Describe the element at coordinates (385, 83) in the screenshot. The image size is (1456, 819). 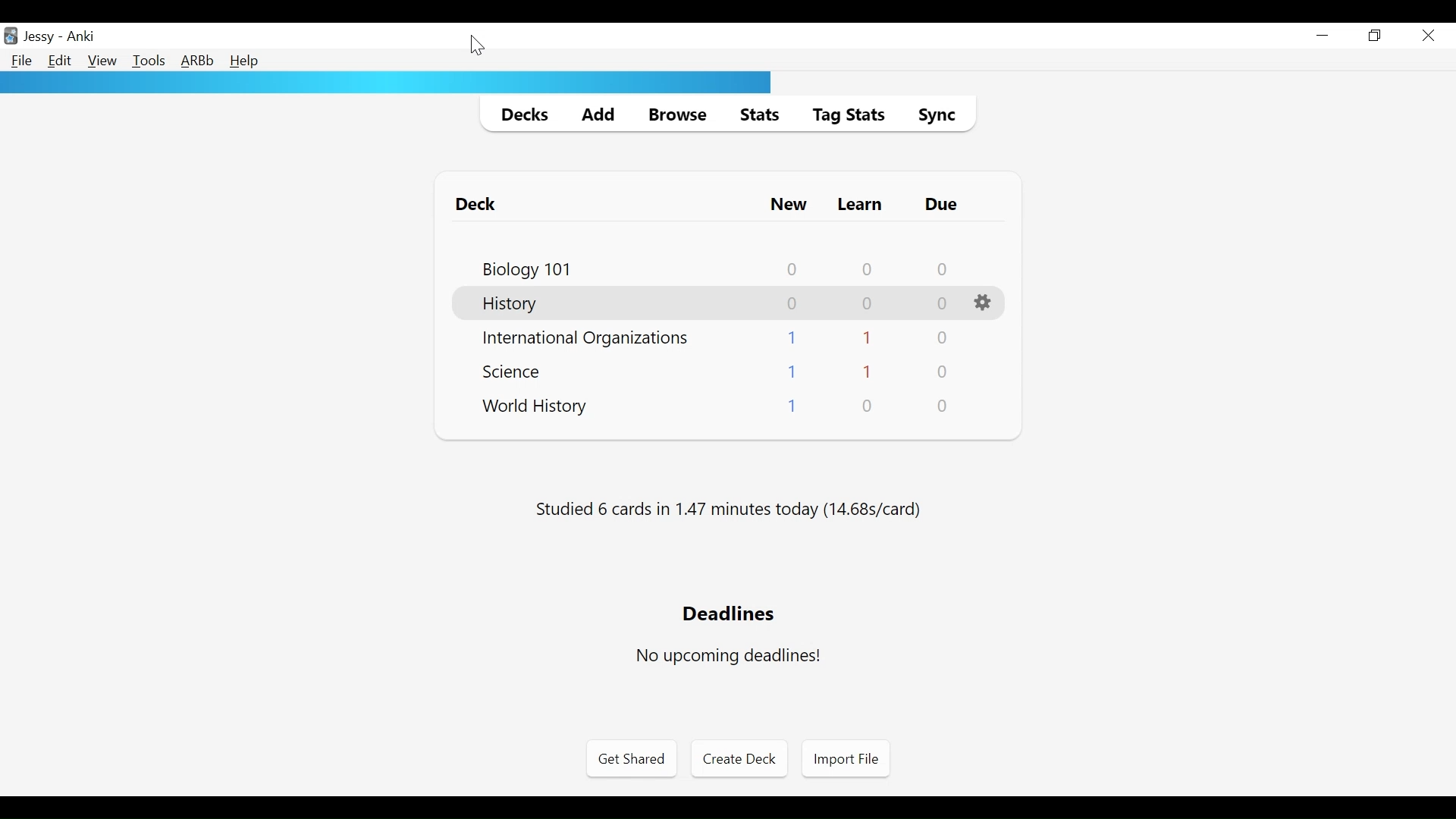
I see `rectangle panel` at that location.